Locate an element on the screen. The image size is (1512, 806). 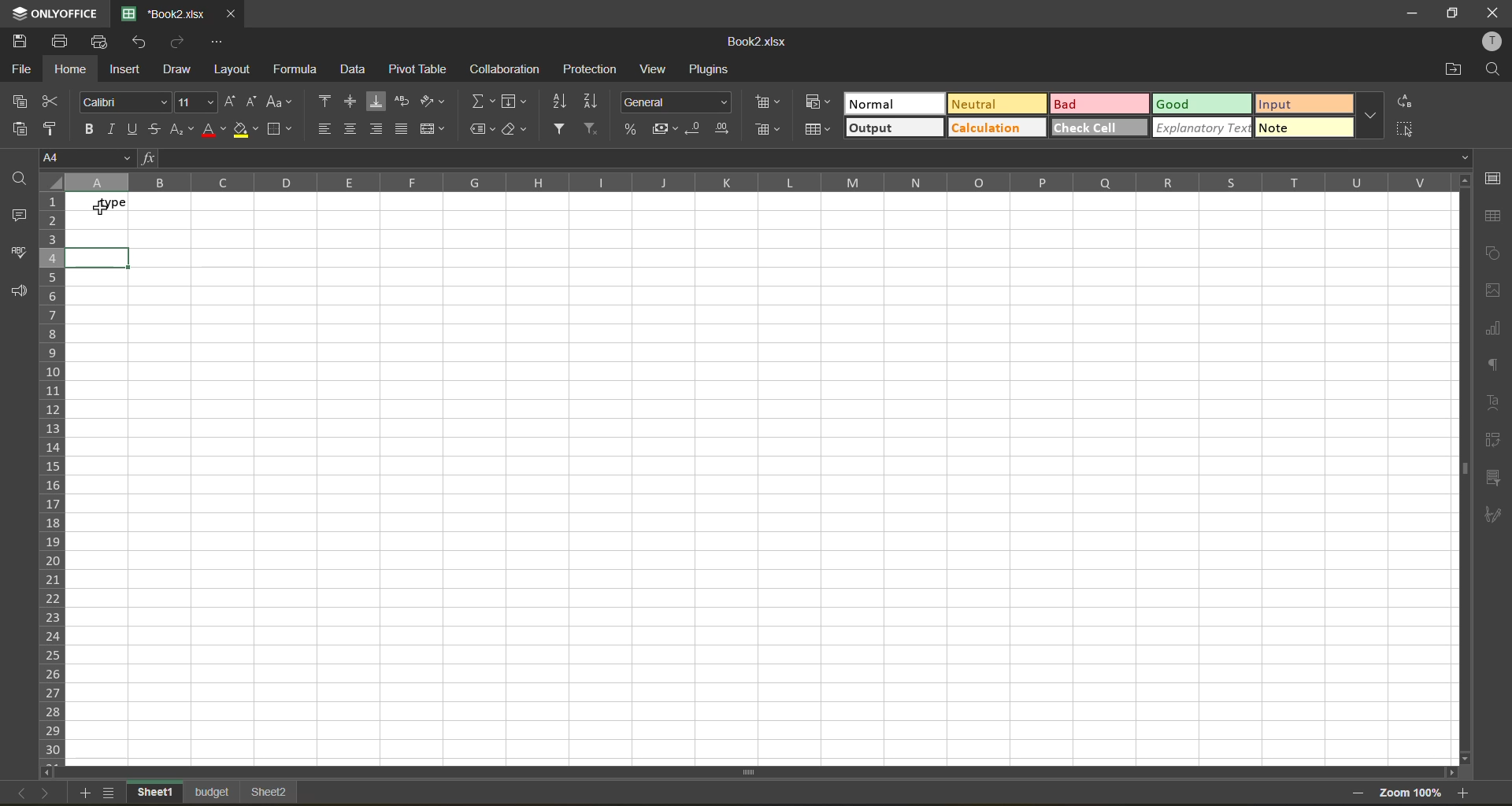
borders is located at coordinates (280, 129).